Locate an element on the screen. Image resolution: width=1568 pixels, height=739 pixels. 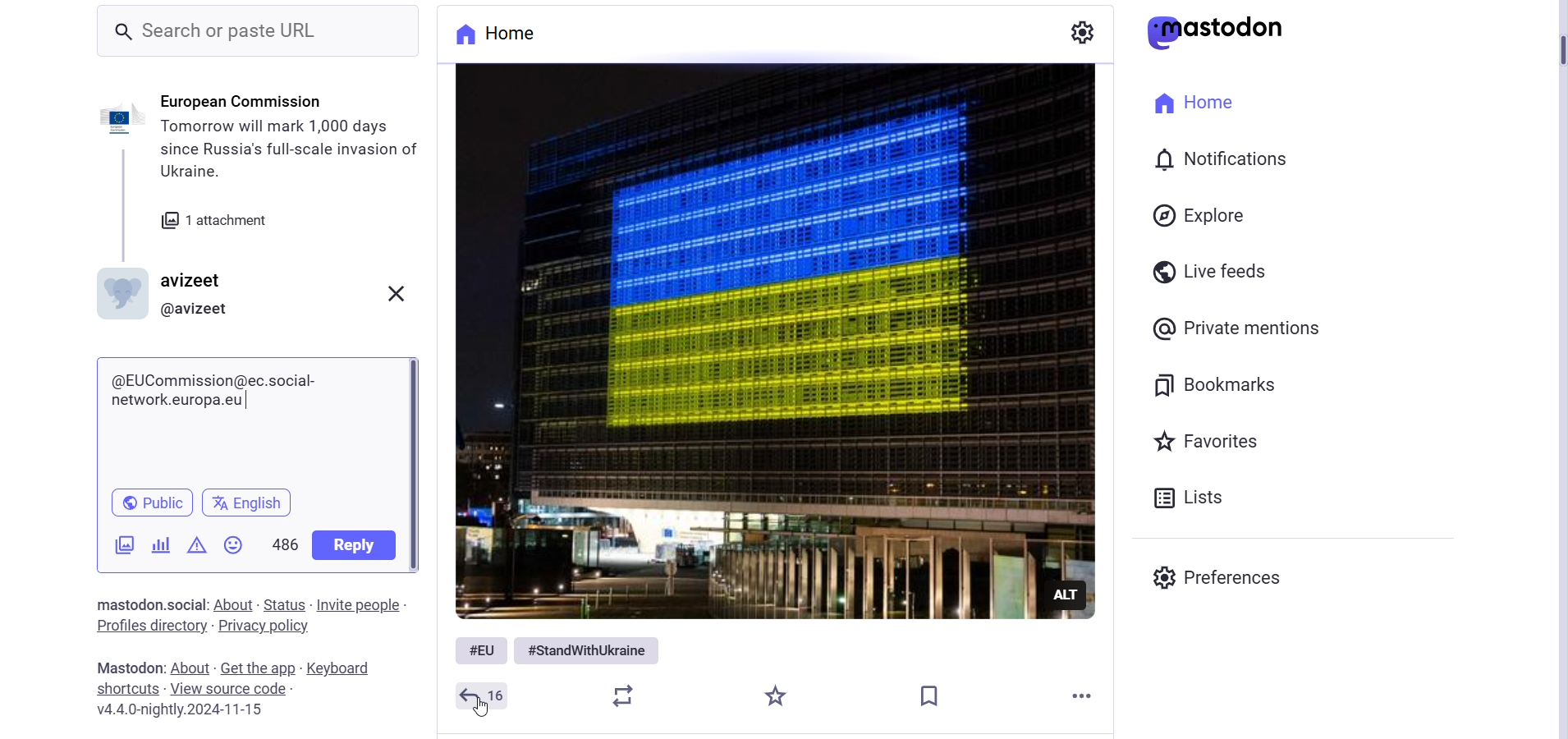
Bookmark is located at coordinates (930, 692).